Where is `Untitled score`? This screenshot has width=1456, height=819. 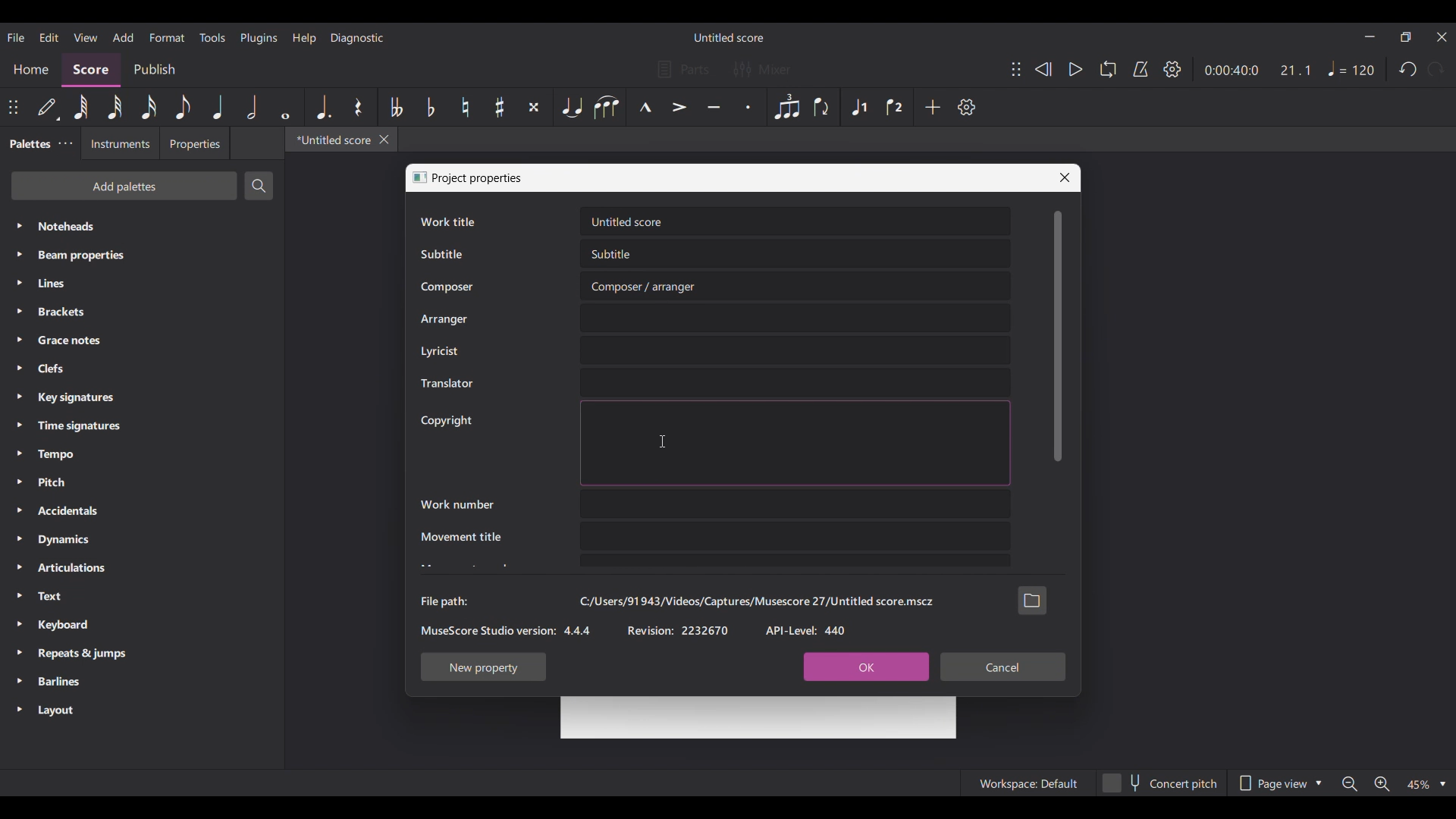 Untitled score is located at coordinates (728, 38).